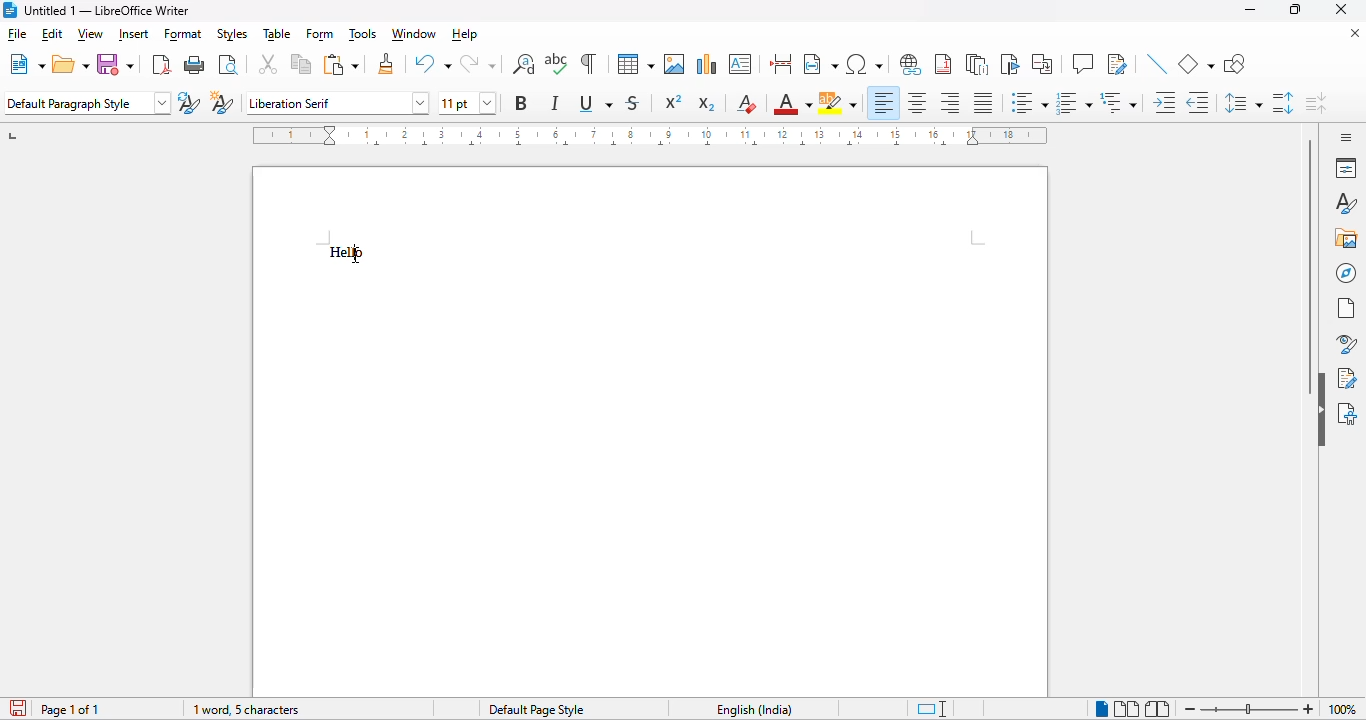 This screenshot has width=1366, height=720. What do you see at coordinates (26, 64) in the screenshot?
I see `new` at bounding box center [26, 64].